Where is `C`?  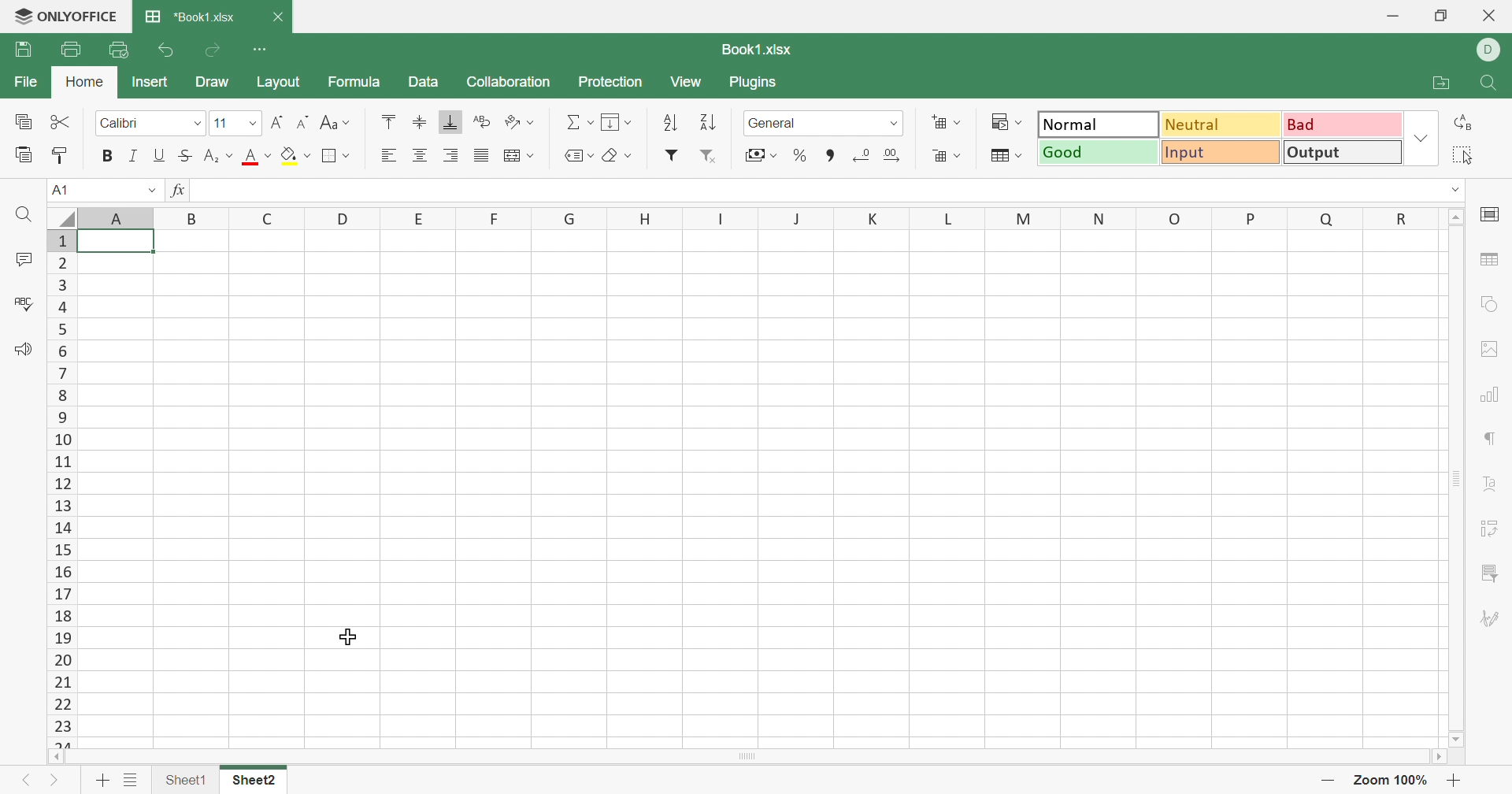
C is located at coordinates (263, 217).